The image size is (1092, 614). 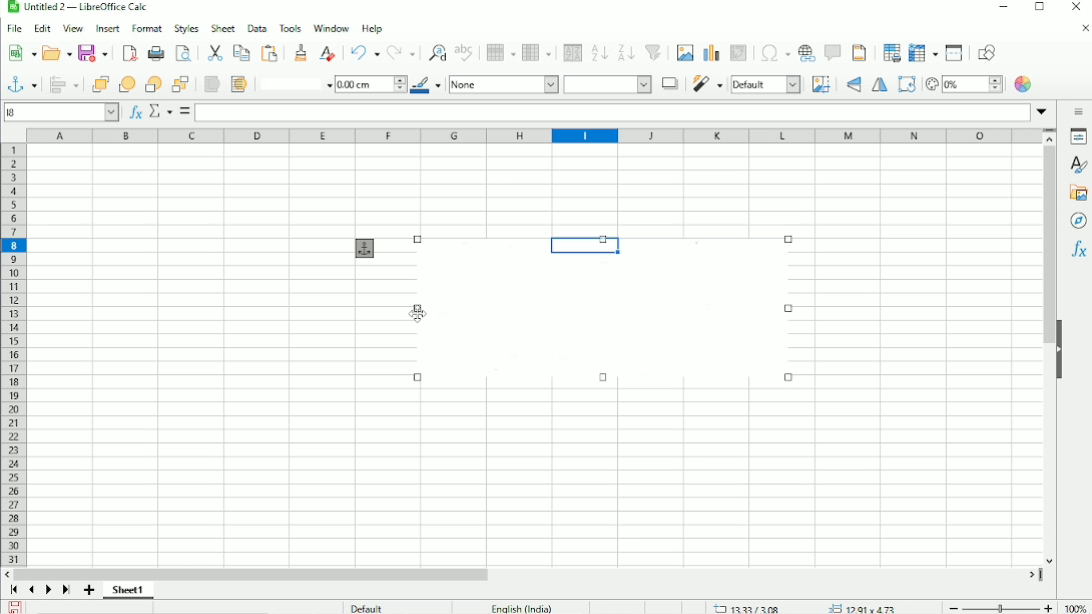 I want to click on Select function, so click(x=159, y=111).